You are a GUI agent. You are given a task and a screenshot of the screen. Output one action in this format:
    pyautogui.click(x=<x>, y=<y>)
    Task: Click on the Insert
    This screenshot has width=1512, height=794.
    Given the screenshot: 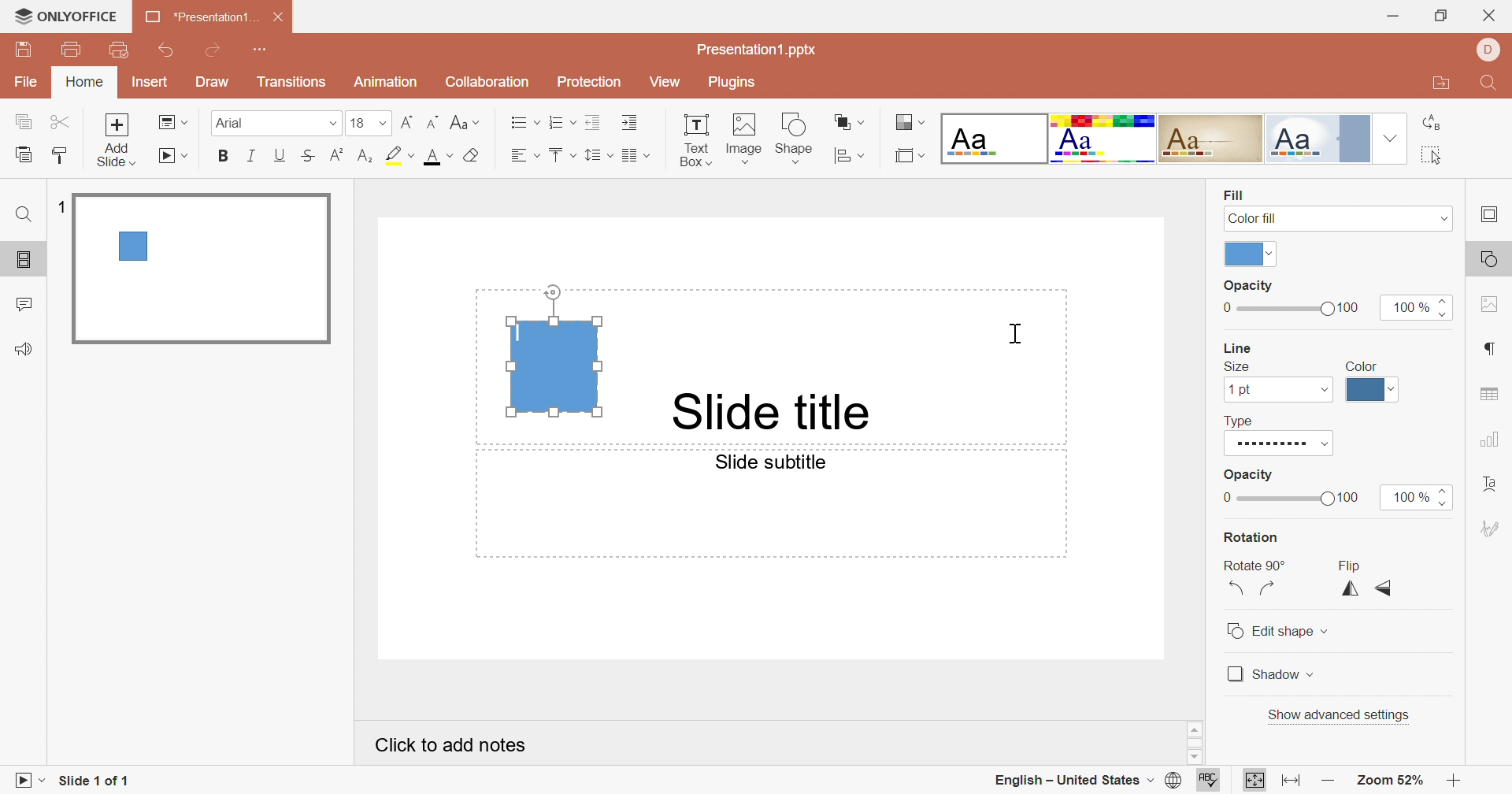 What is the action you would take?
    pyautogui.click(x=149, y=83)
    